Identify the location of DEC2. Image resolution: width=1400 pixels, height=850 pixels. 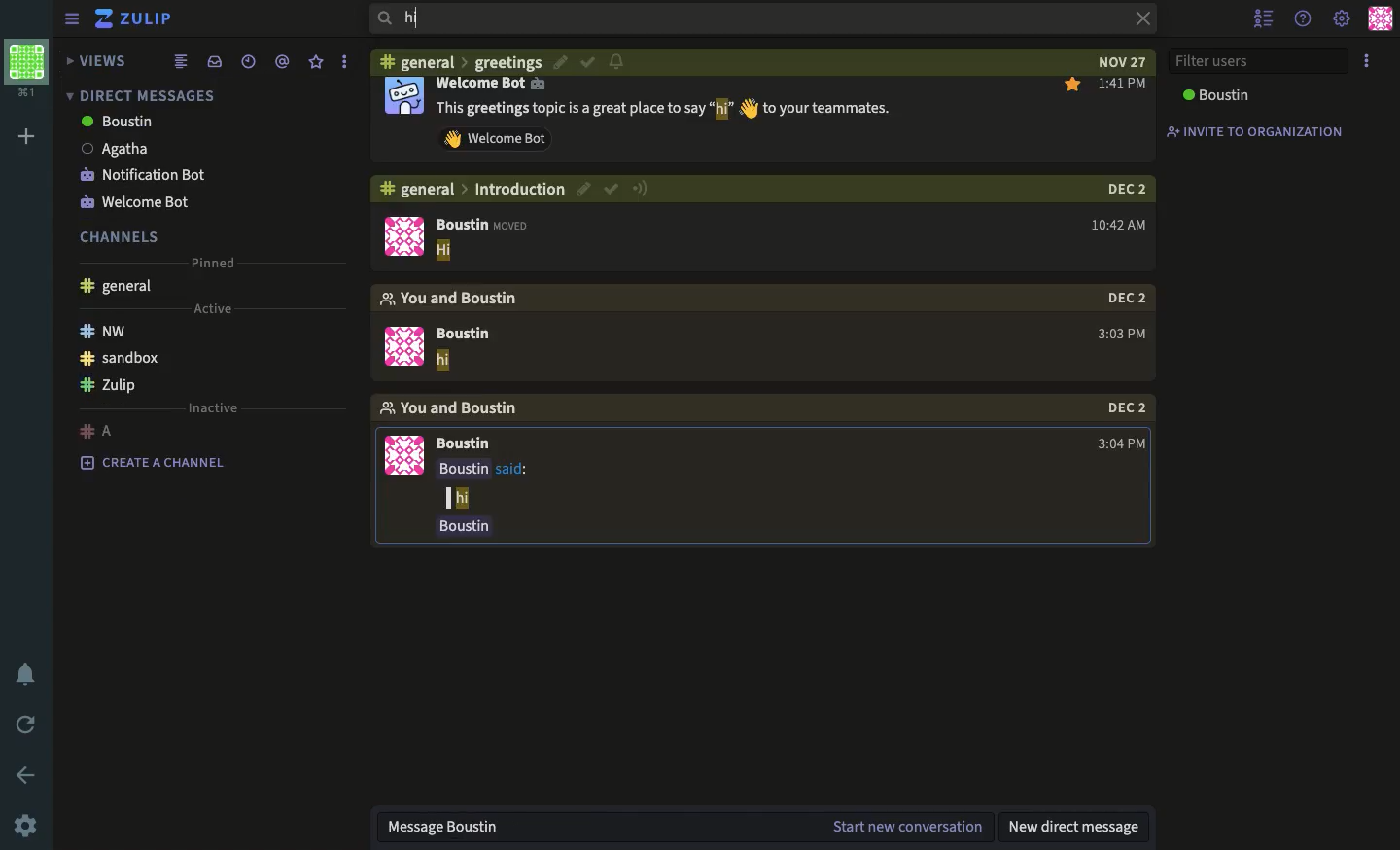
(1123, 299).